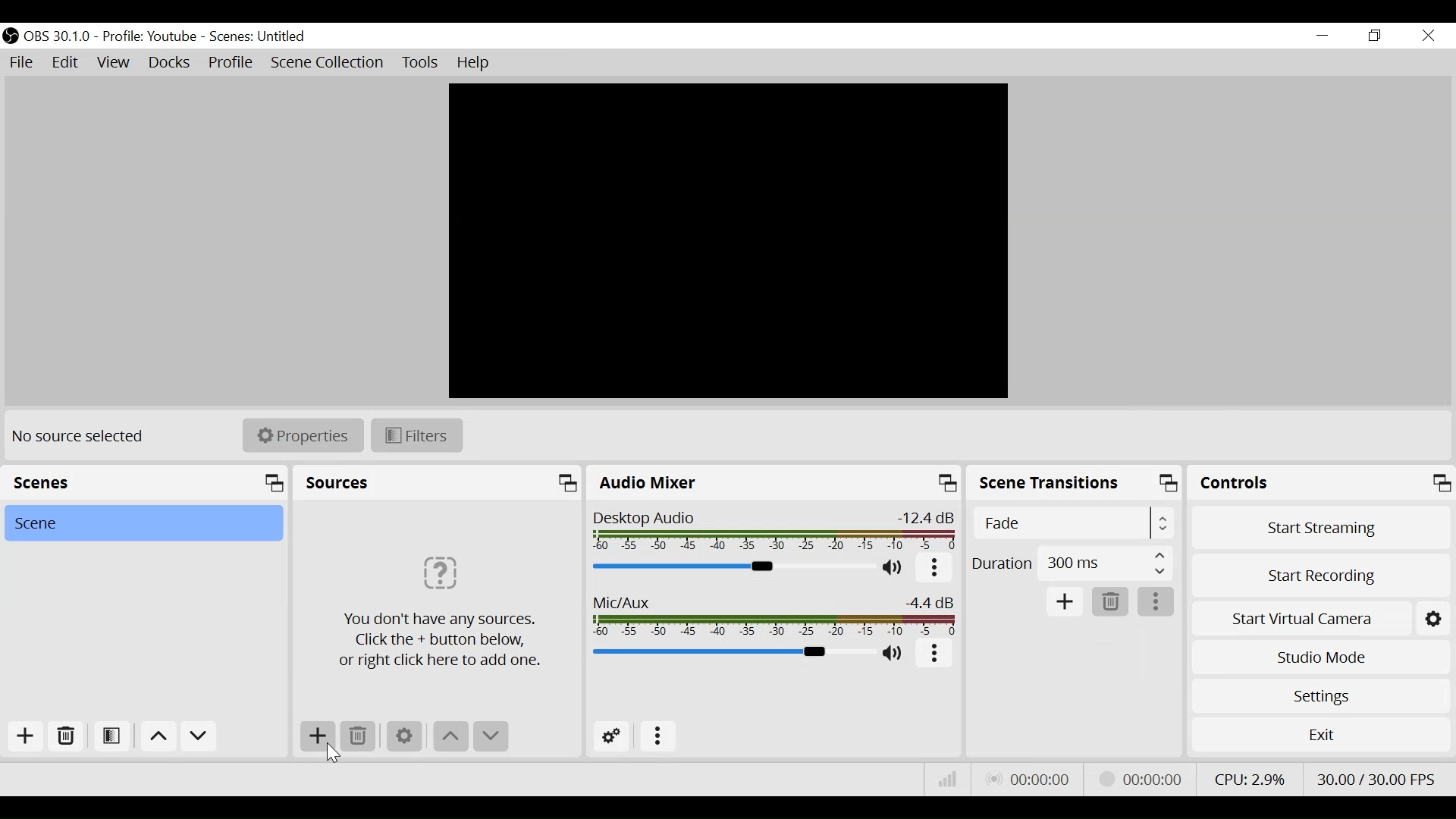  What do you see at coordinates (1157, 604) in the screenshot?
I see `more options` at bounding box center [1157, 604].